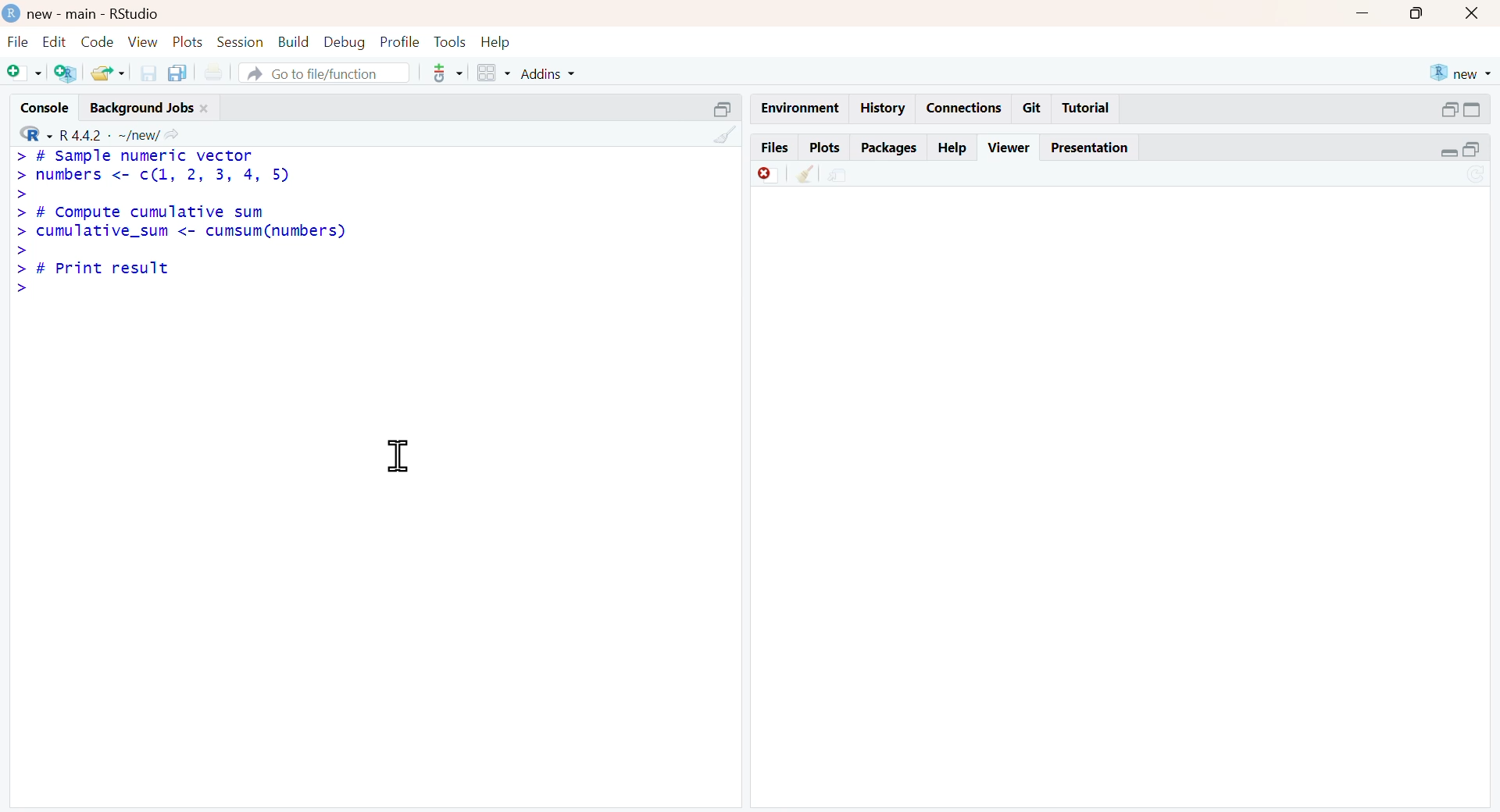 Image resolution: width=1500 pixels, height=812 pixels. Describe the element at coordinates (883, 108) in the screenshot. I see `History` at that location.